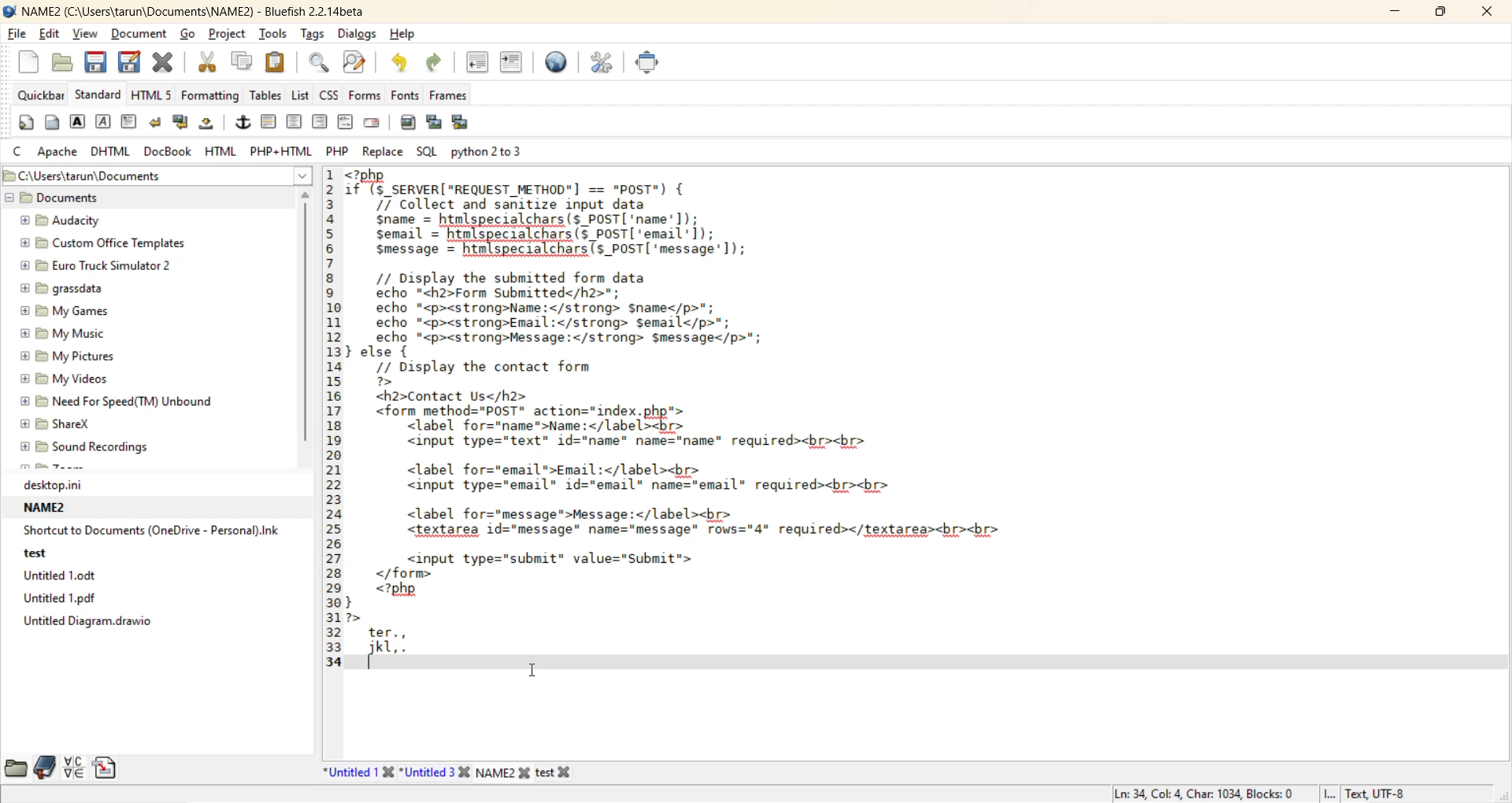  Describe the element at coordinates (108, 769) in the screenshot. I see `snippets` at that location.